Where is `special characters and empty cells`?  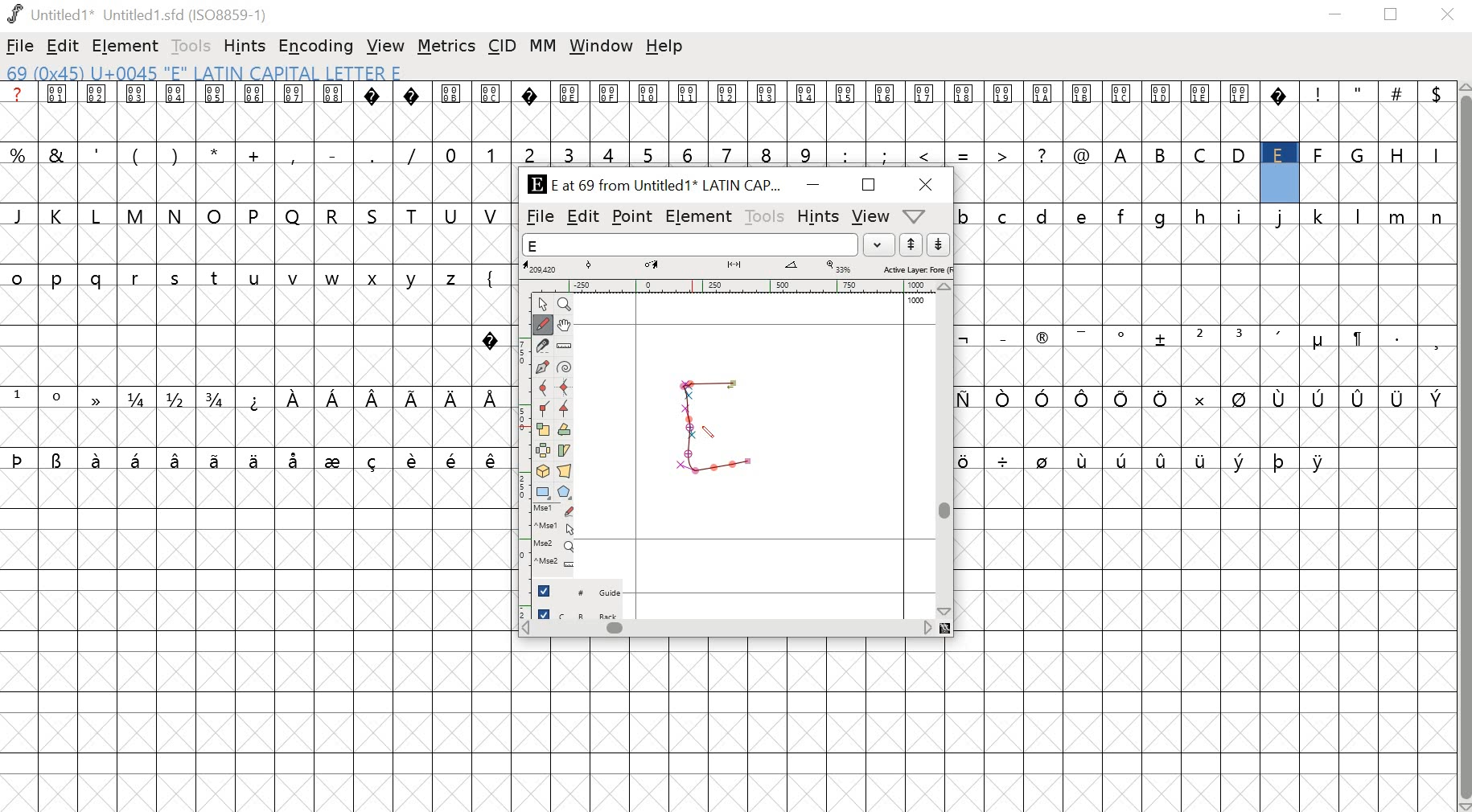 special characters and empty cells is located at coordinates (1207, 459).